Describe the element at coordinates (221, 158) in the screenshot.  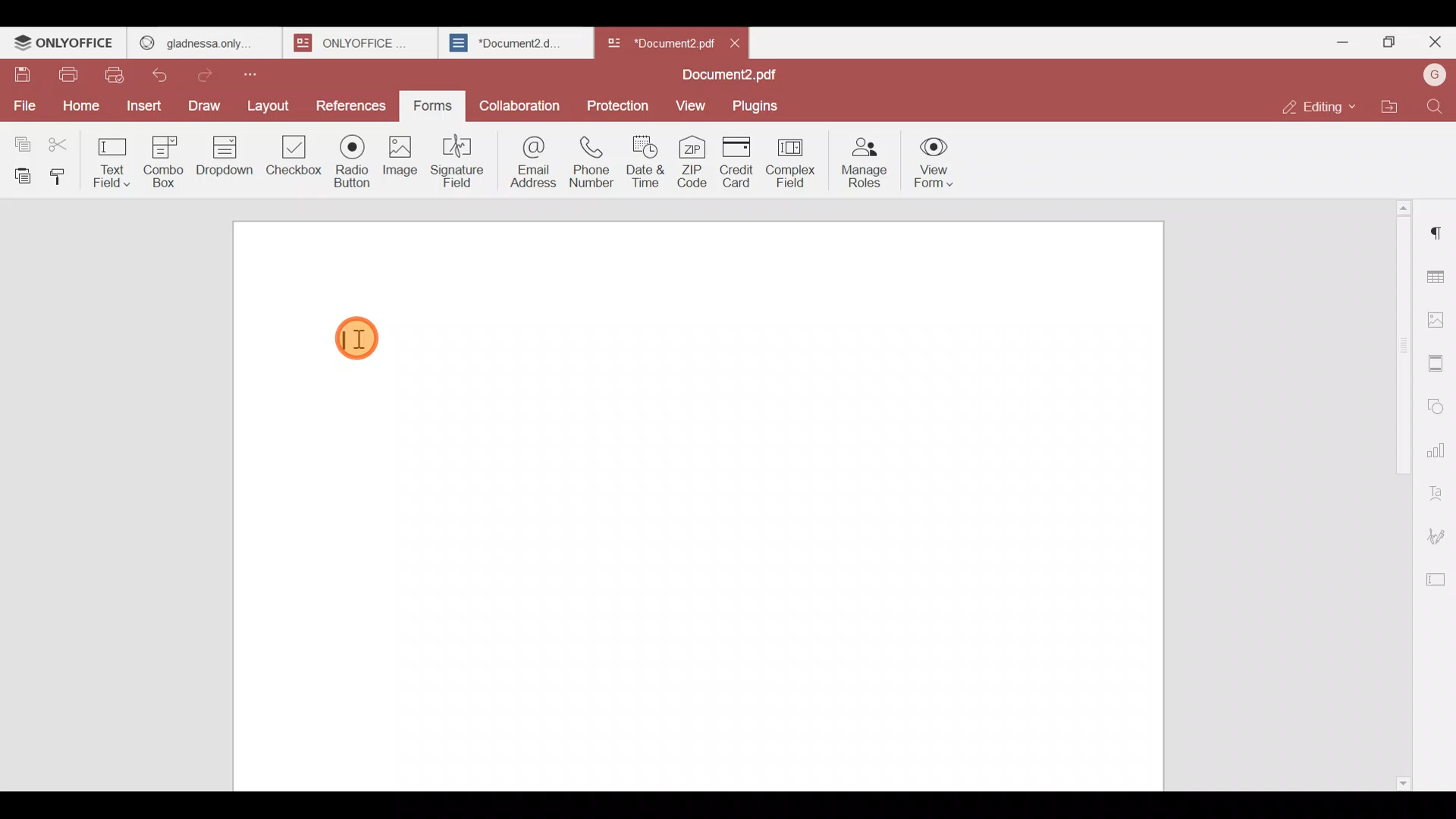
I see `Dropdown` at that location.